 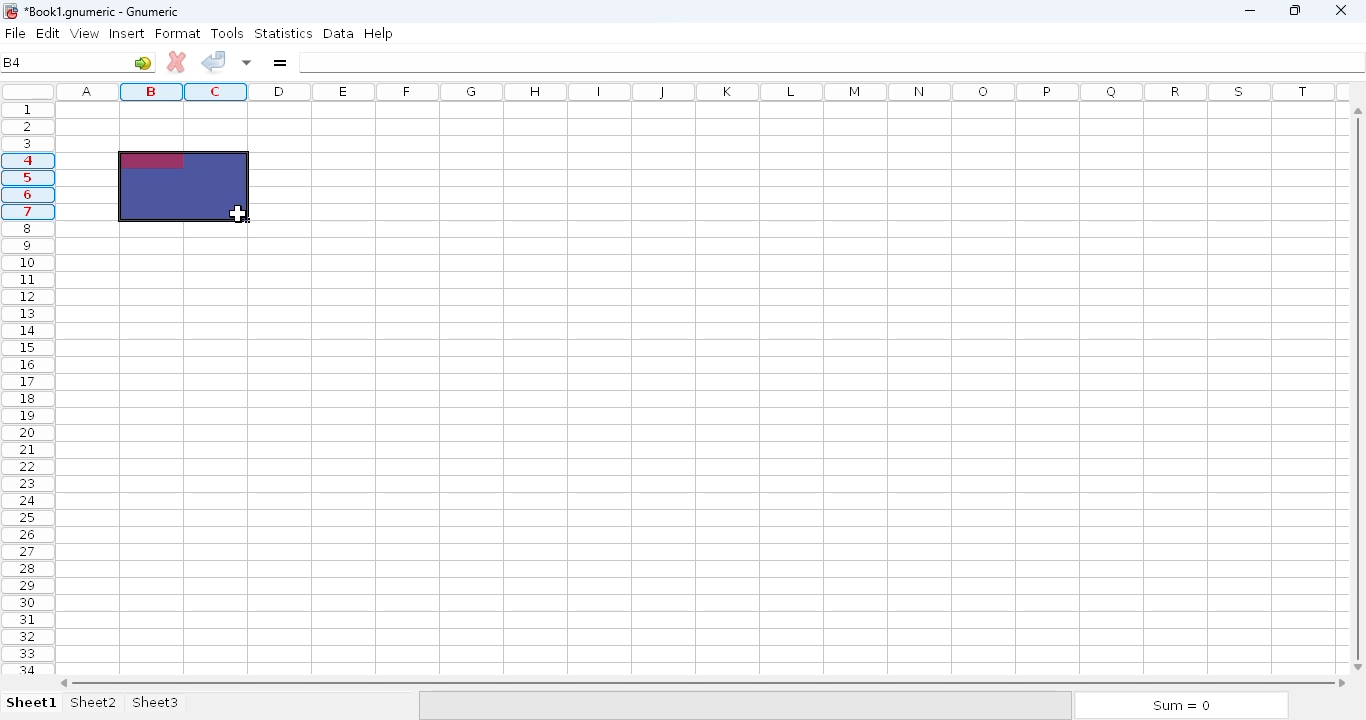 I want to click on sheet2, so click(x=93, y=703).